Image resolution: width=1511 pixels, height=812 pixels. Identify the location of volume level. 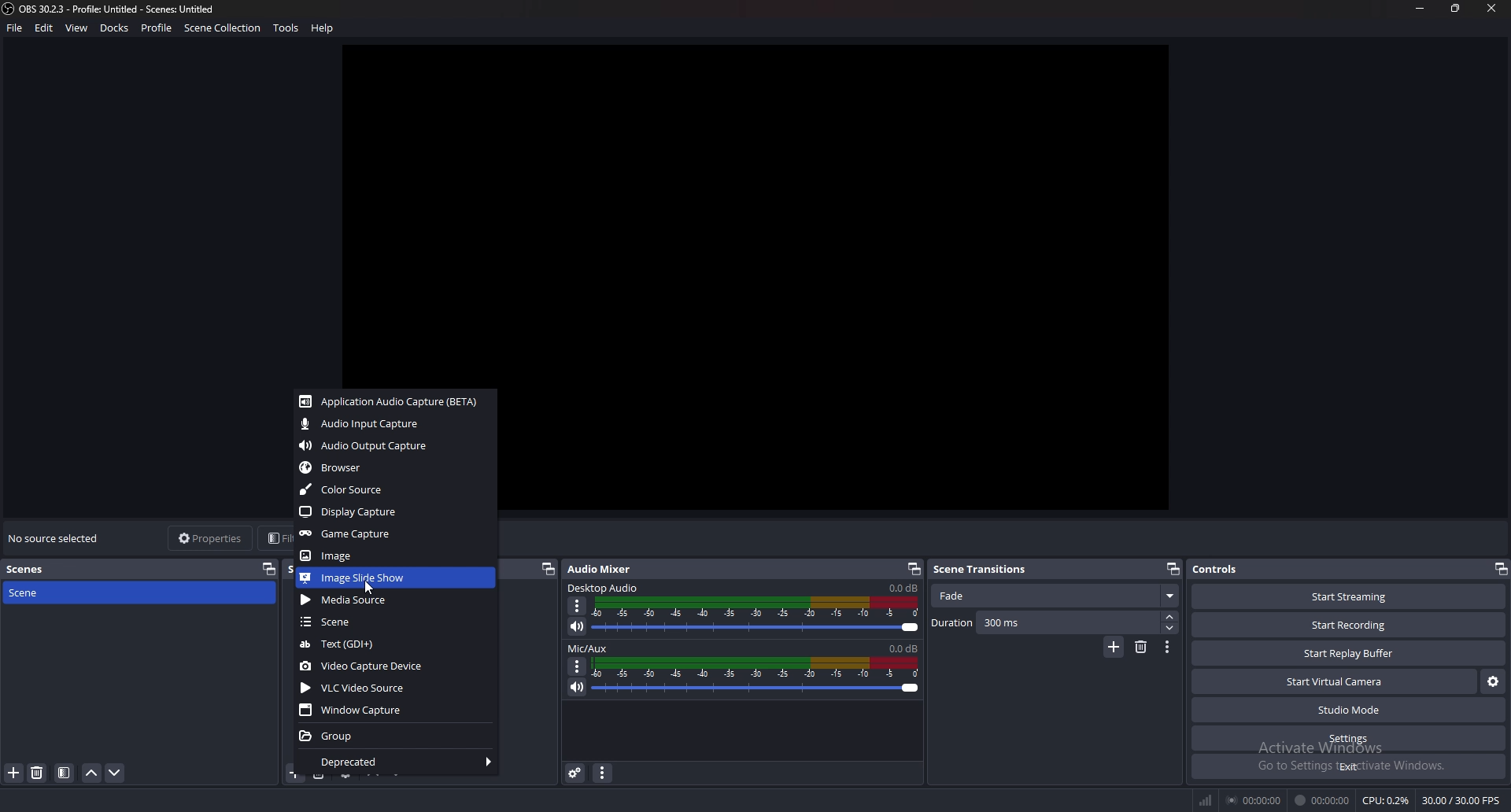
(903, 648).